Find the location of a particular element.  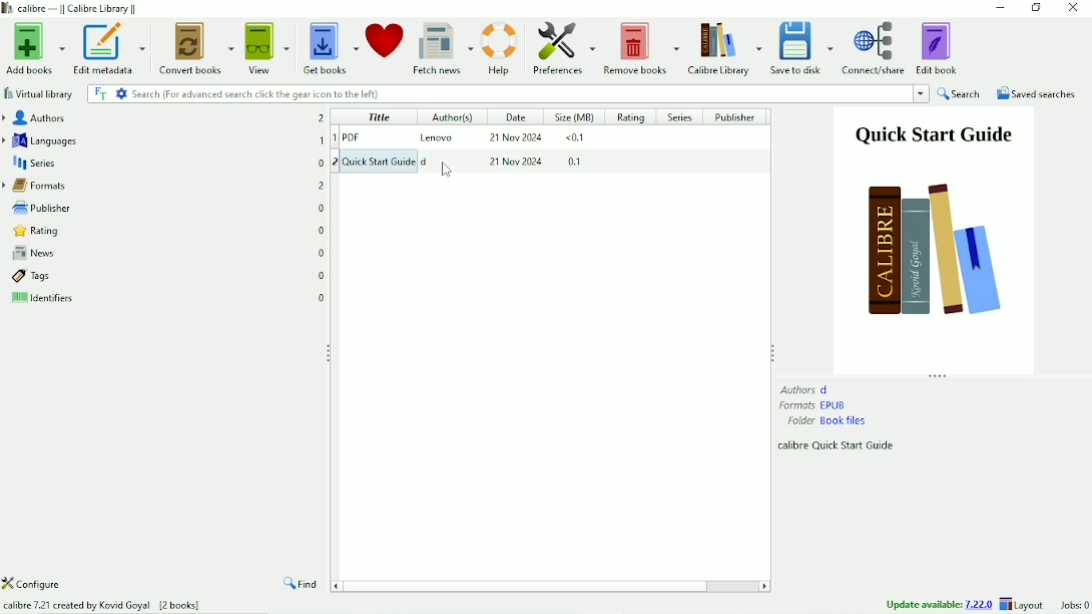

Publisher is located at coordinates (740, 117).